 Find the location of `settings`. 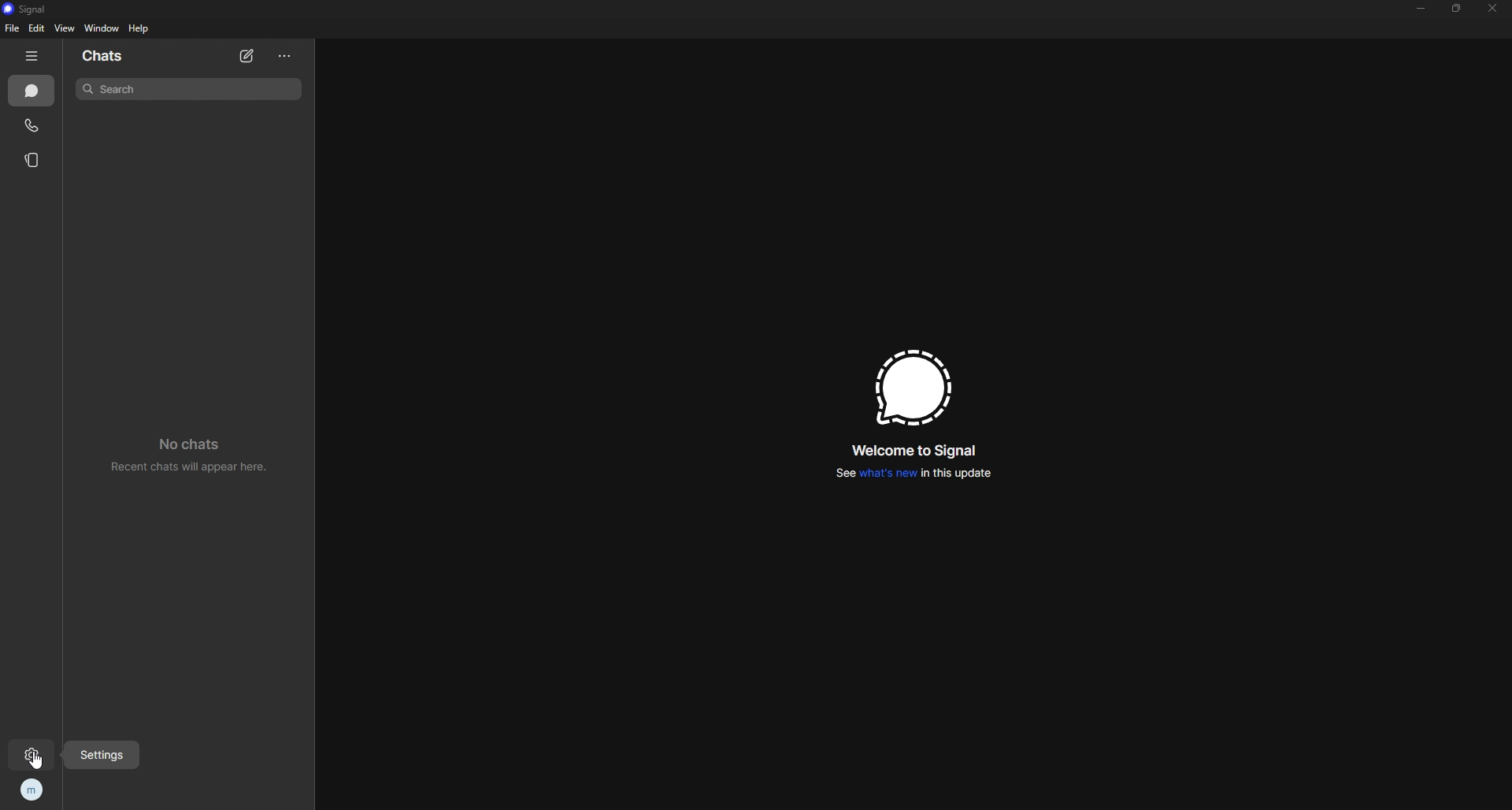

settings is located at coordinates (28, 756).